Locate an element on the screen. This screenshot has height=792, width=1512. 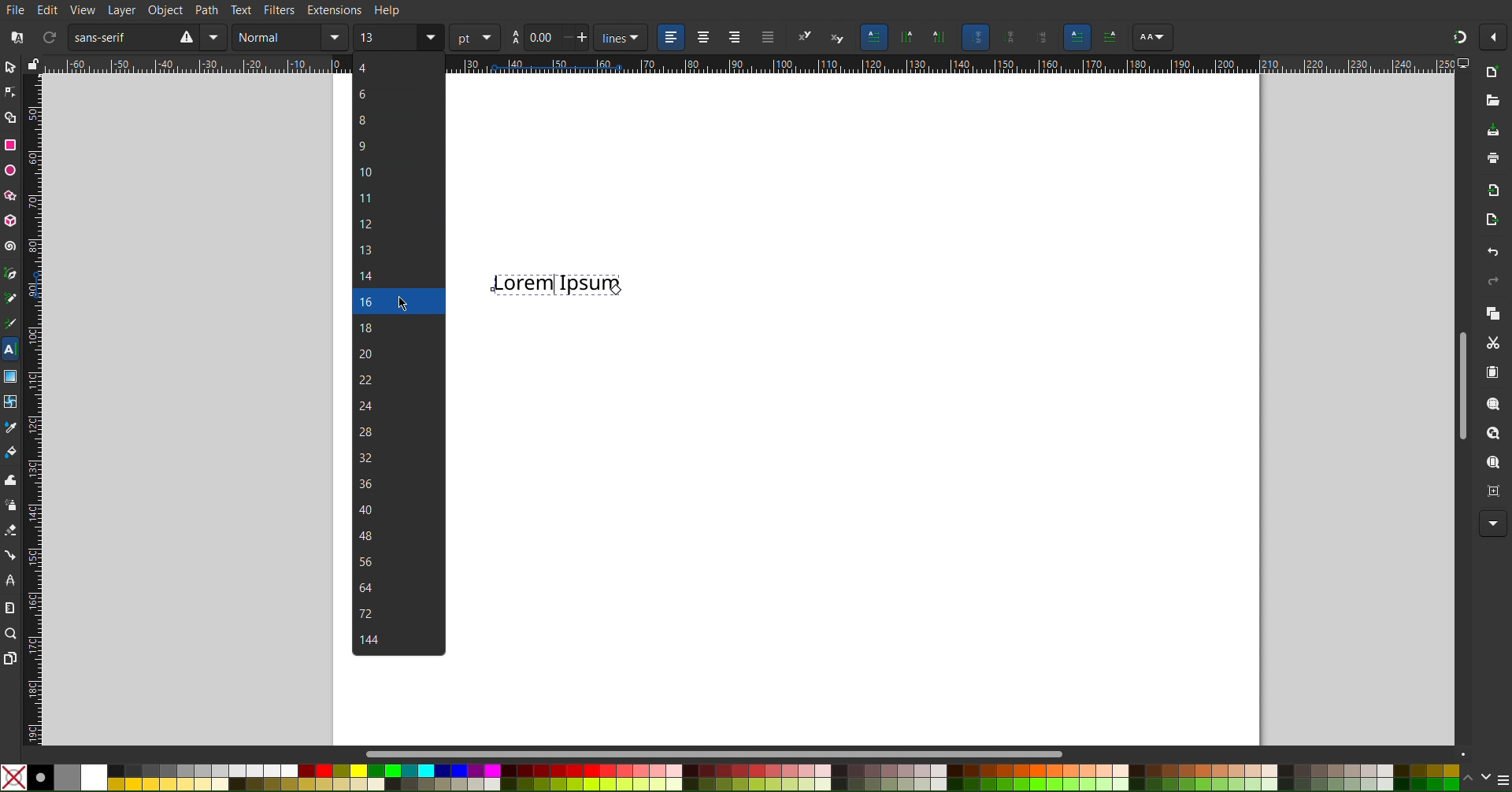
Zoom Page is located at coordinates (1492, 462).